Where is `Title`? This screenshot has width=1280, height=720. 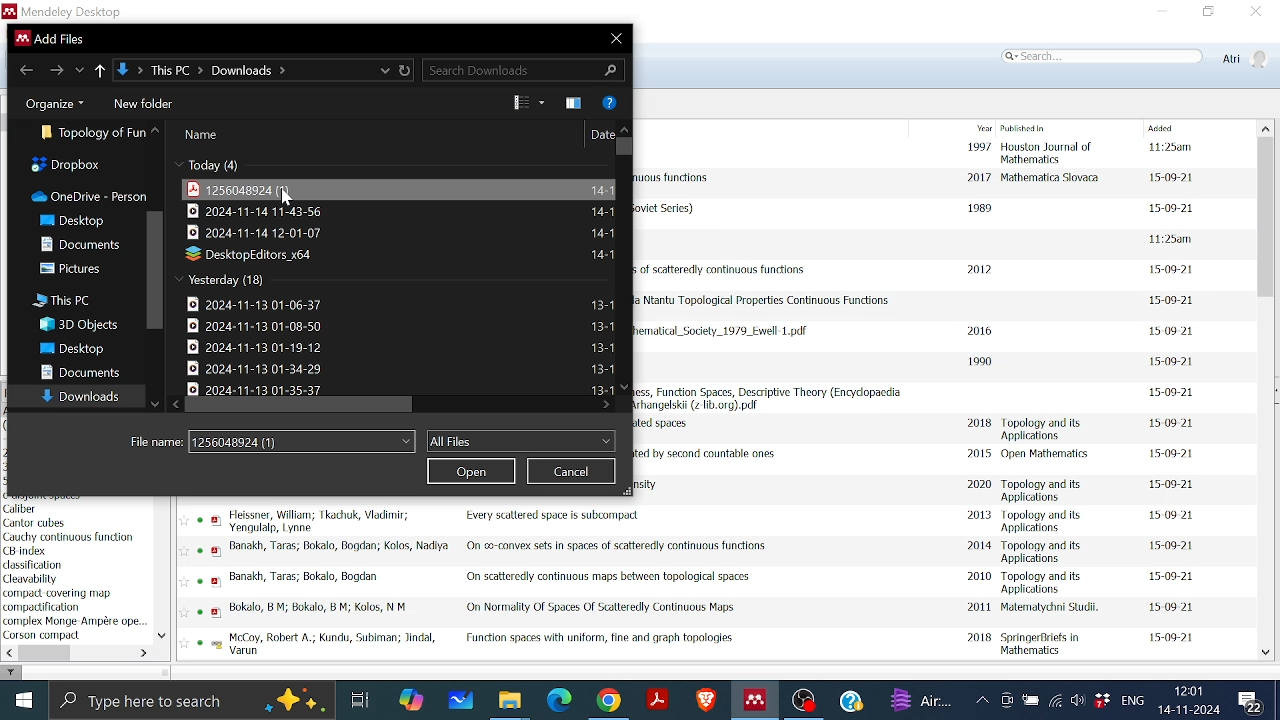
Title is located at coordinates (556, 516).